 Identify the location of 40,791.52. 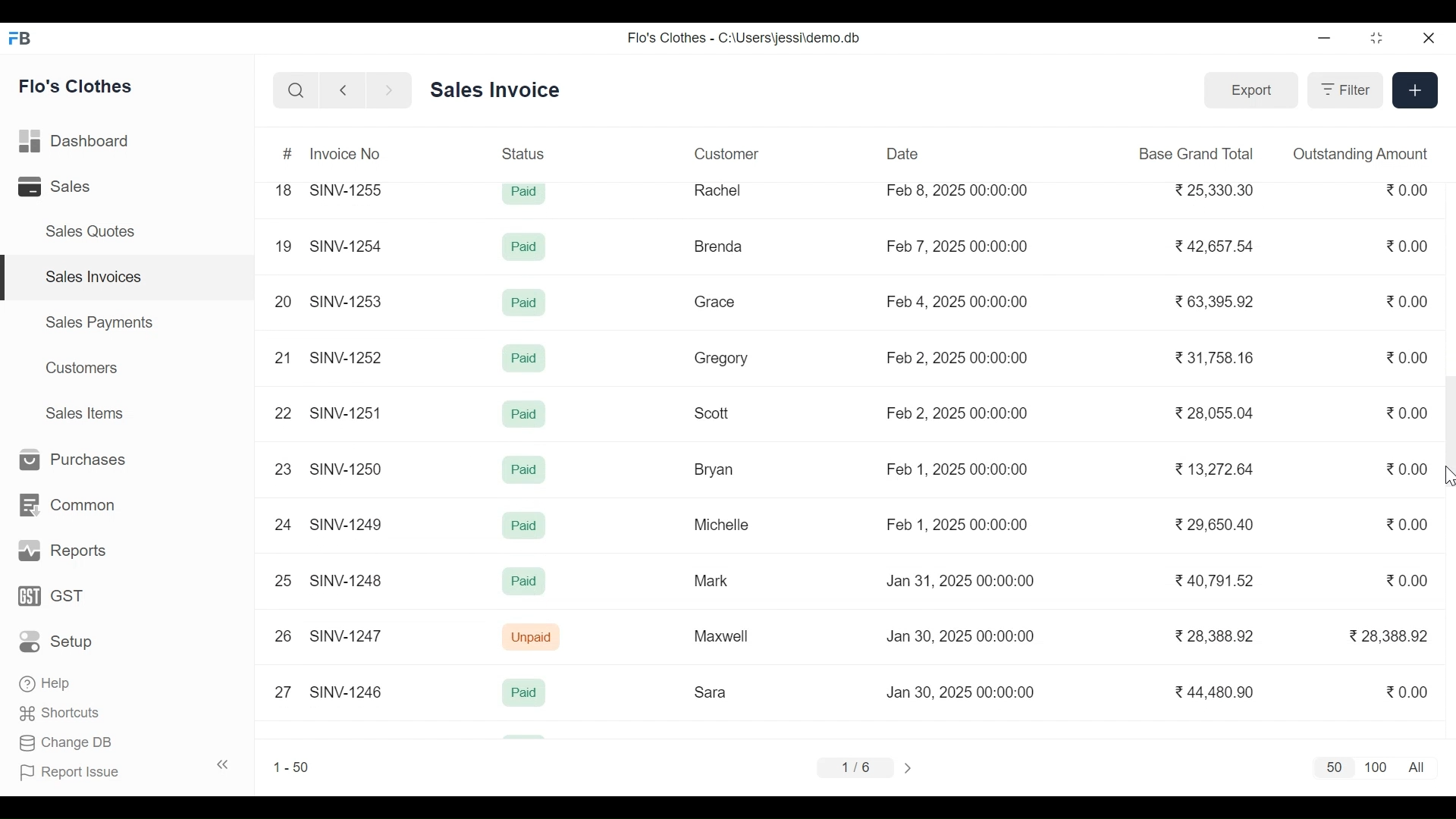
(1217, 582).